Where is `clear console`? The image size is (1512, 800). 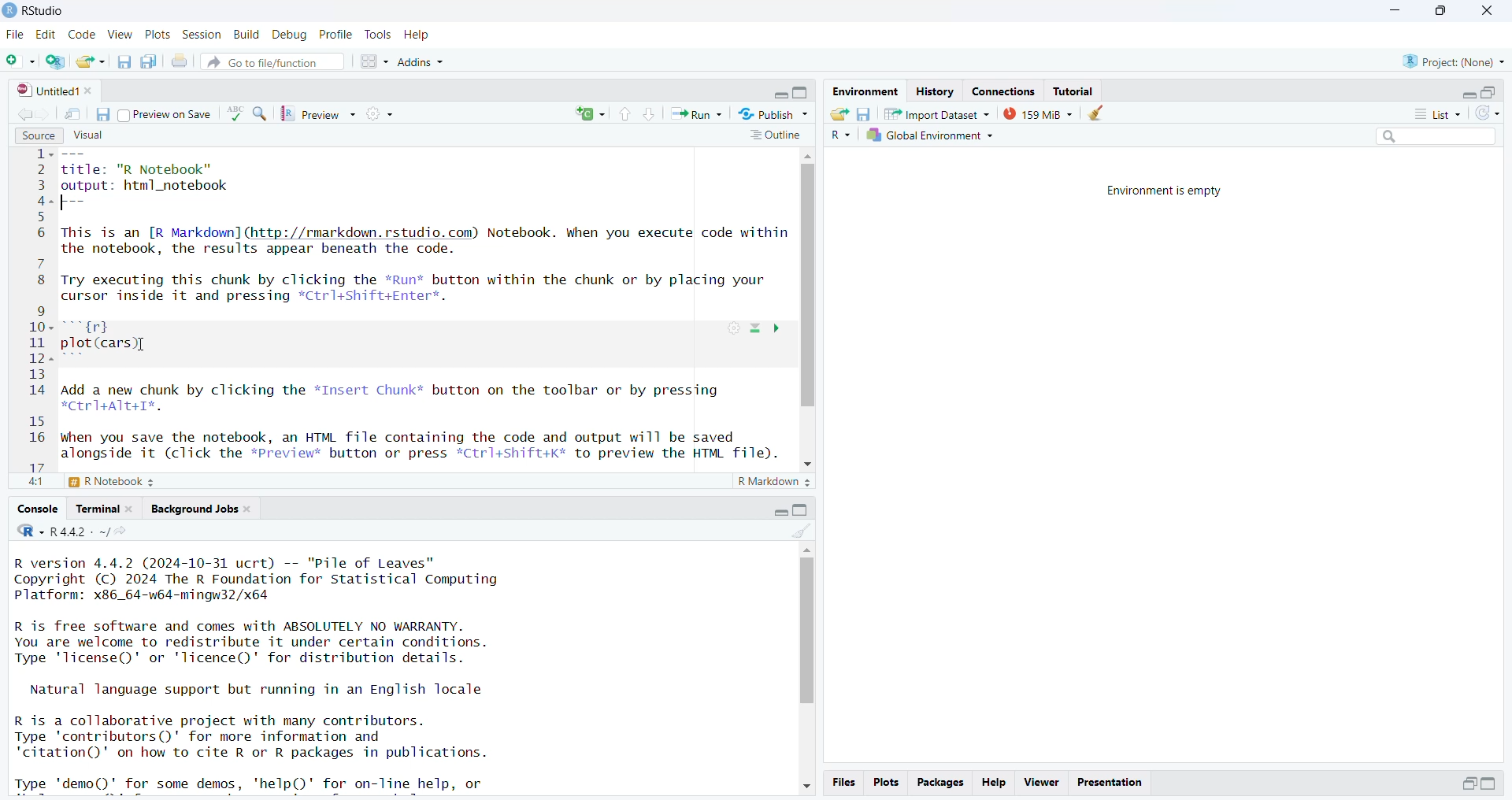 clear console is located at coordinates (802, 529).